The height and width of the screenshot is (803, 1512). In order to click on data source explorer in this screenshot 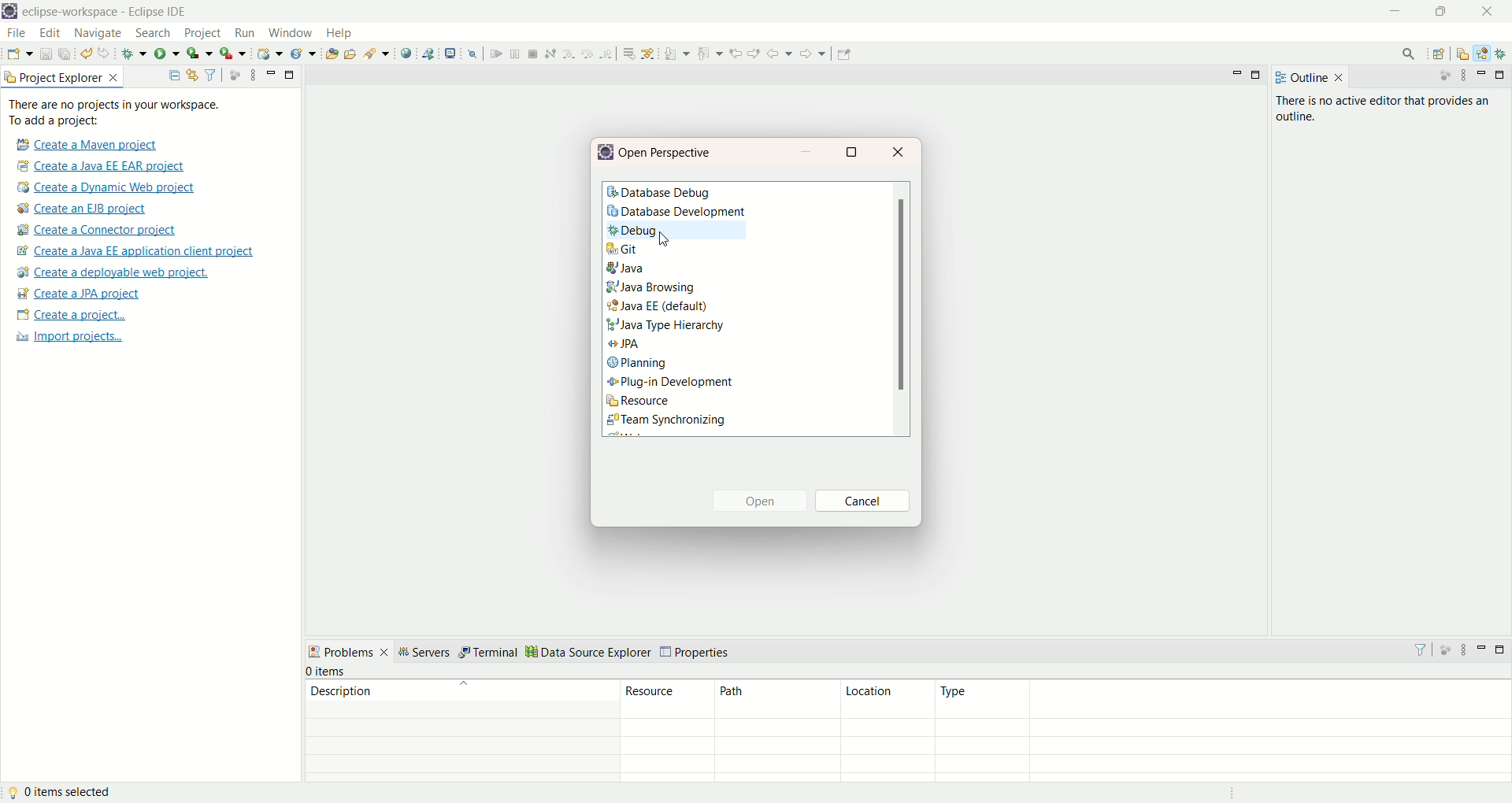, I will do `click(590, 651)`.